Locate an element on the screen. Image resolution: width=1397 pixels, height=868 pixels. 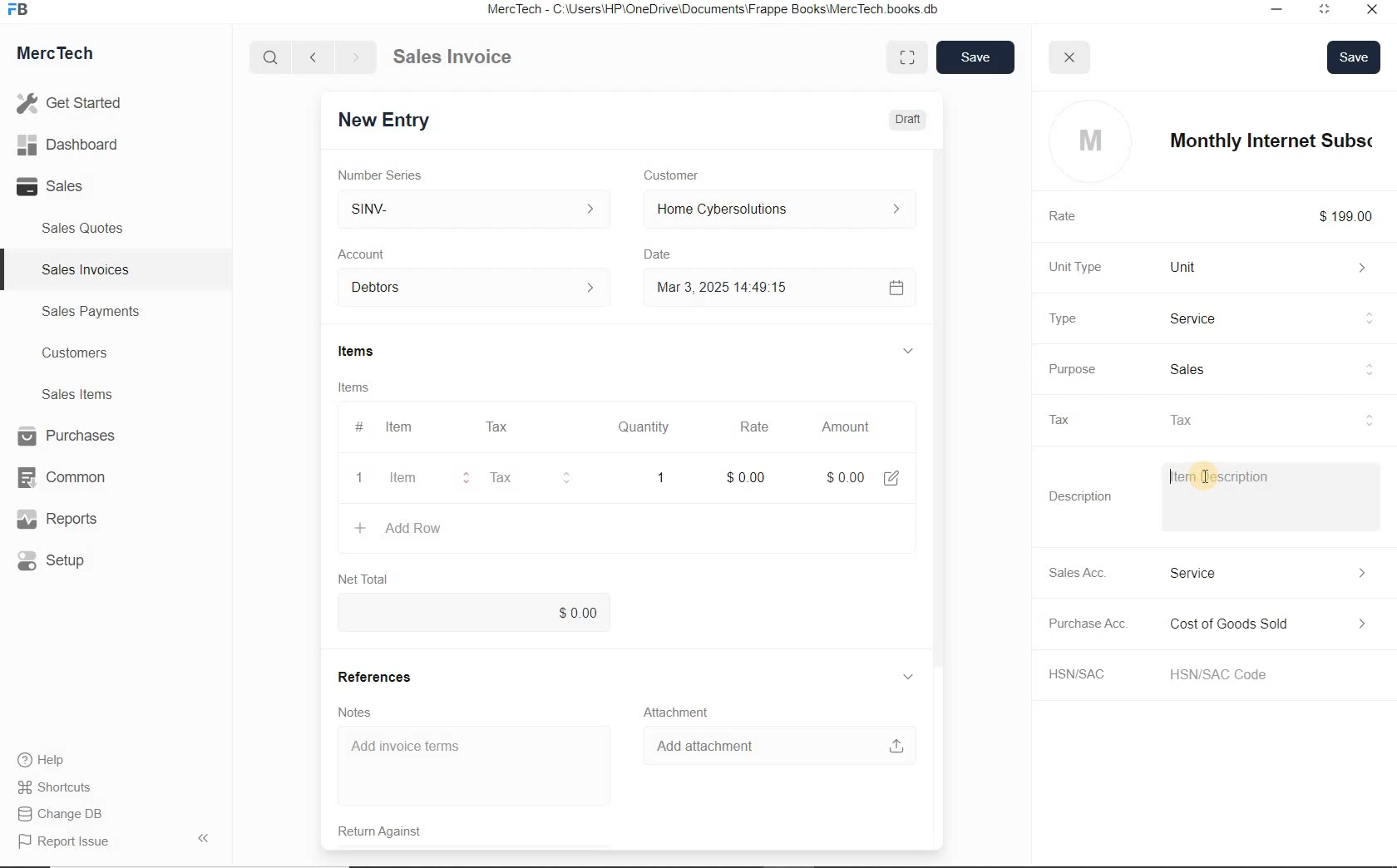
Sales Invoices is located at coordinates (86, 269).